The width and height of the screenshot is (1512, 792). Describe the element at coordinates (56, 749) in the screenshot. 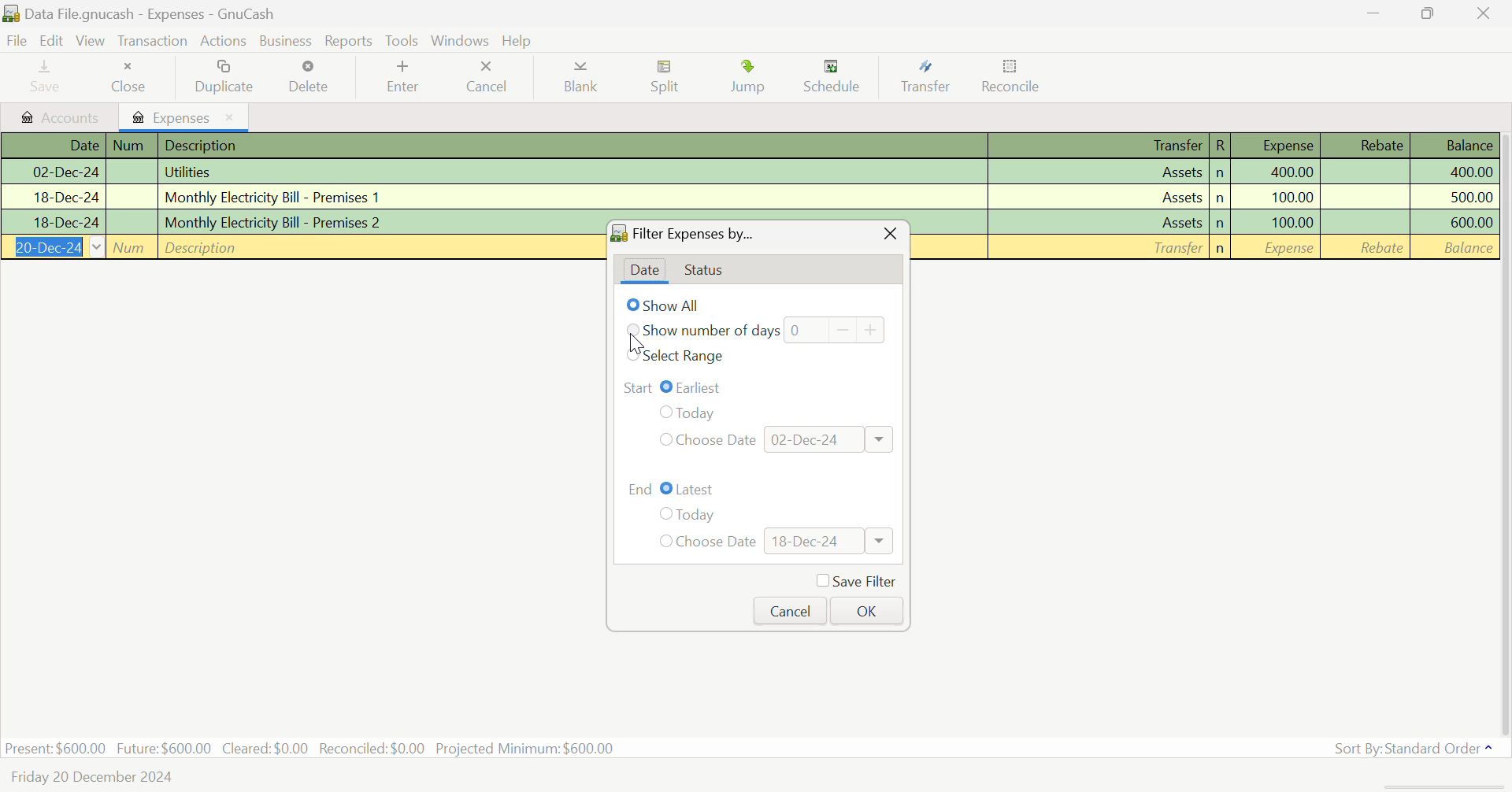

I see `Present` at that location.